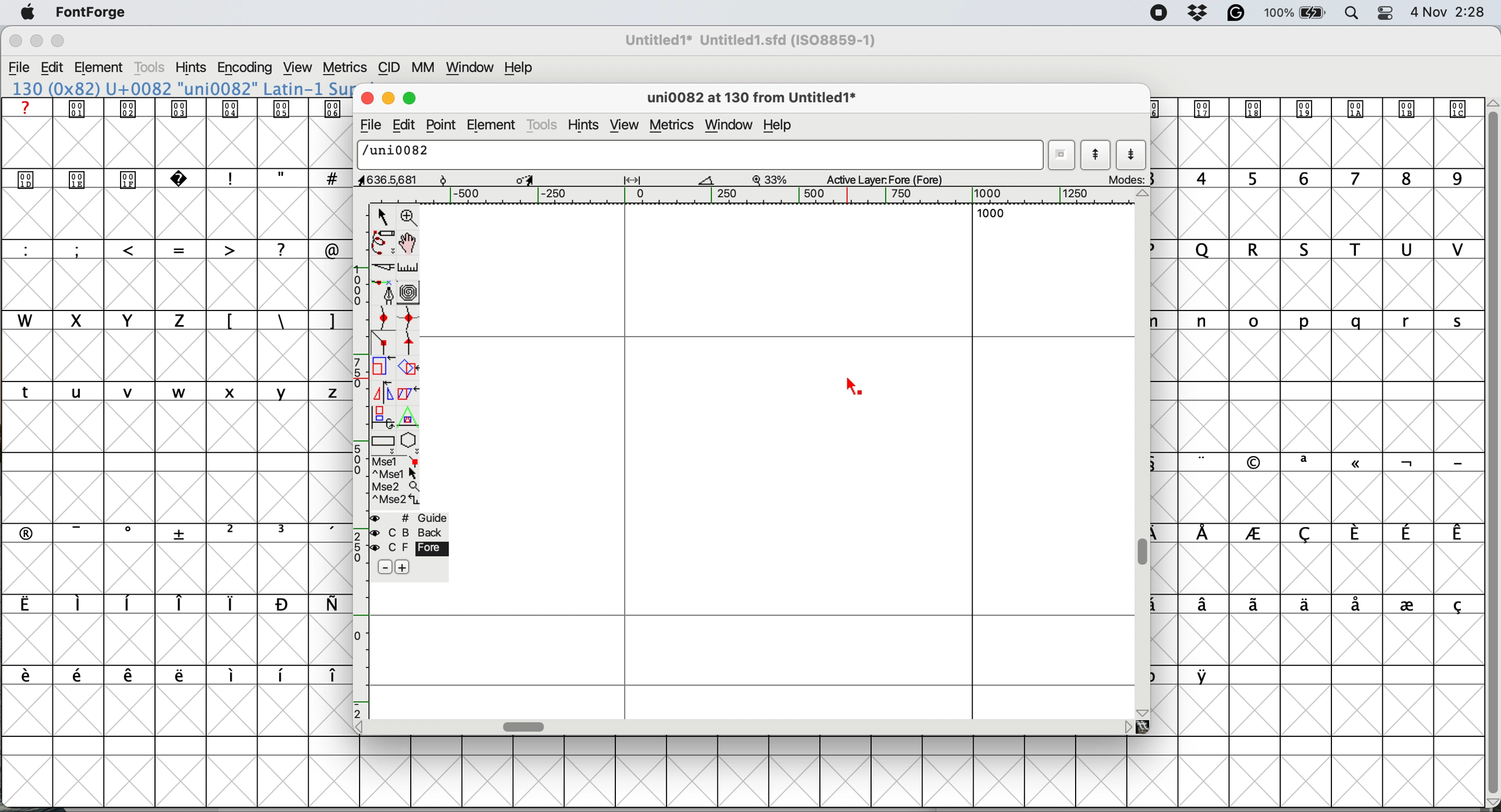 The image size is (1501, 812). I want to click on vertical scale, so click(362, 460).